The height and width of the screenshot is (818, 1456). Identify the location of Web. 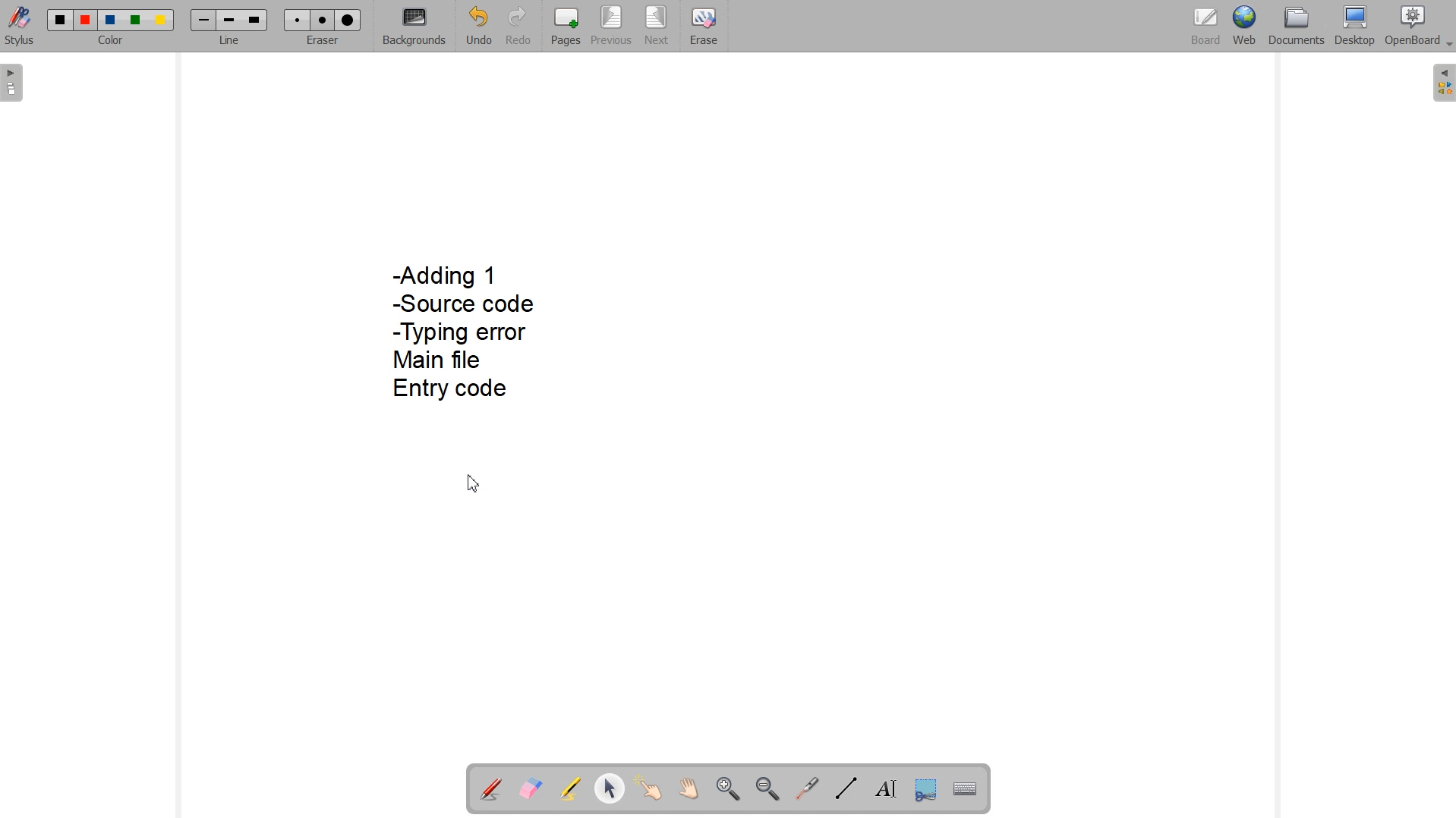
(1244, 27).